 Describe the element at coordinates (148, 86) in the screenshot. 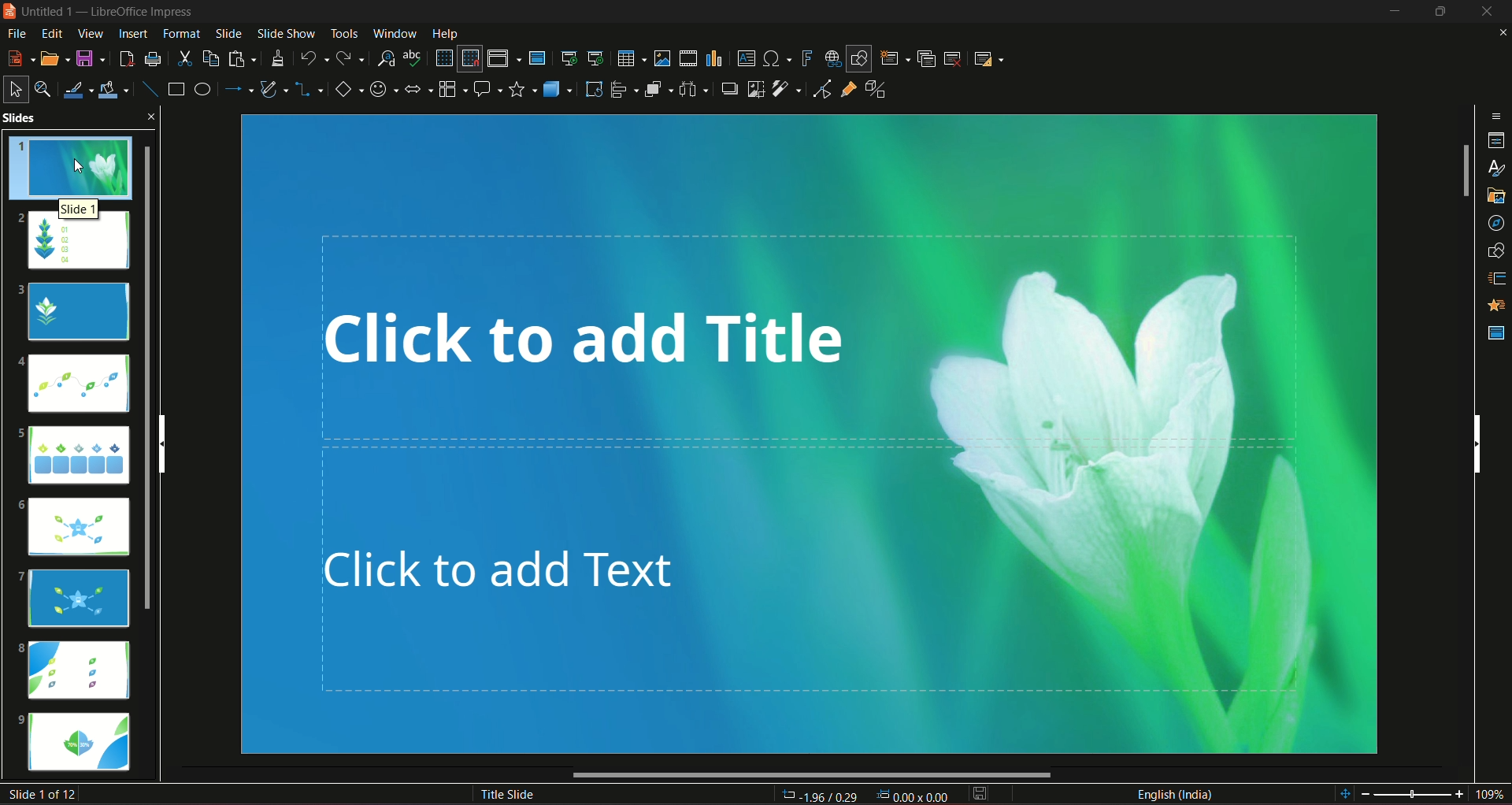

I see `insert line` at that location.